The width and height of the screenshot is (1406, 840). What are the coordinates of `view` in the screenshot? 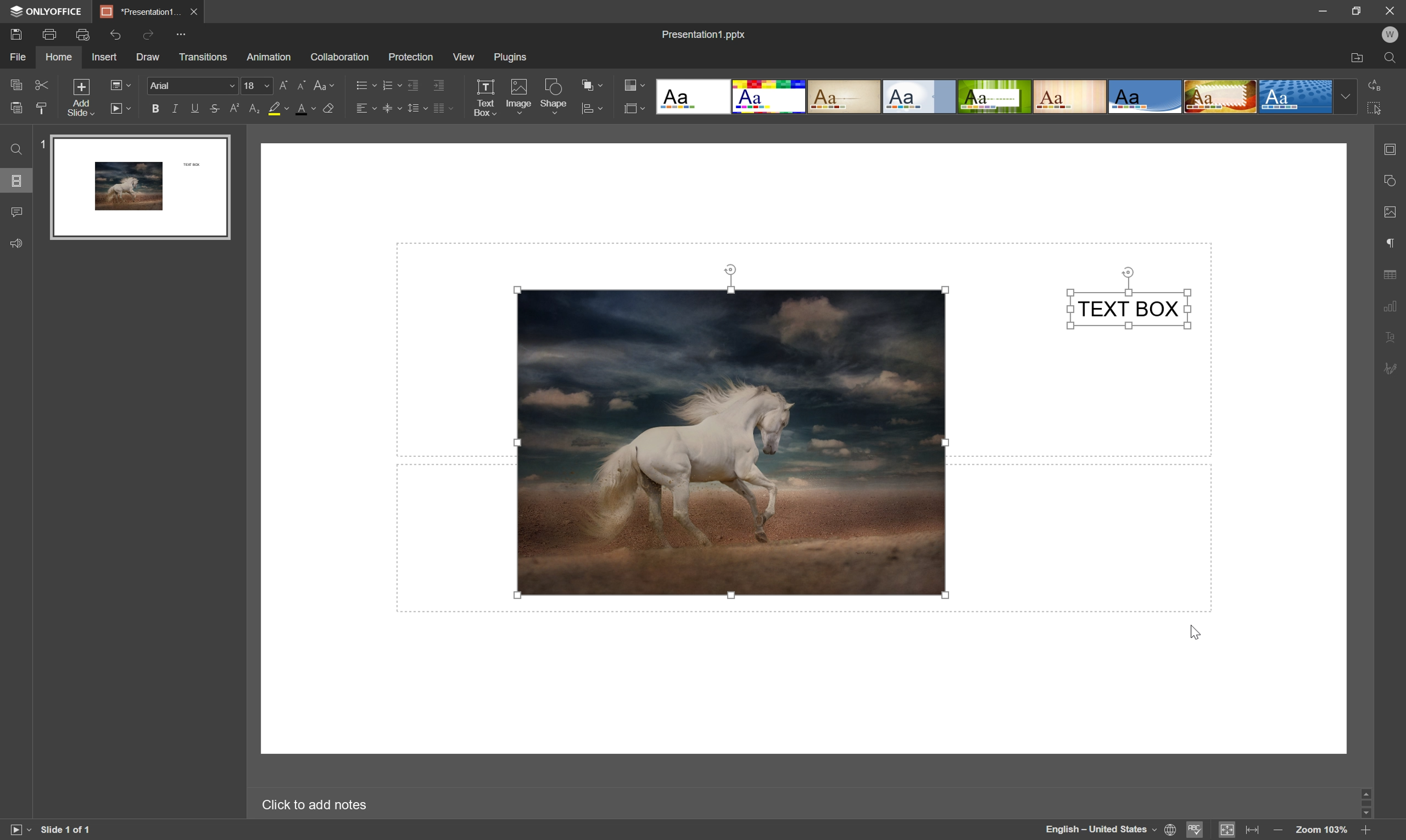 It's located at (462, 57).